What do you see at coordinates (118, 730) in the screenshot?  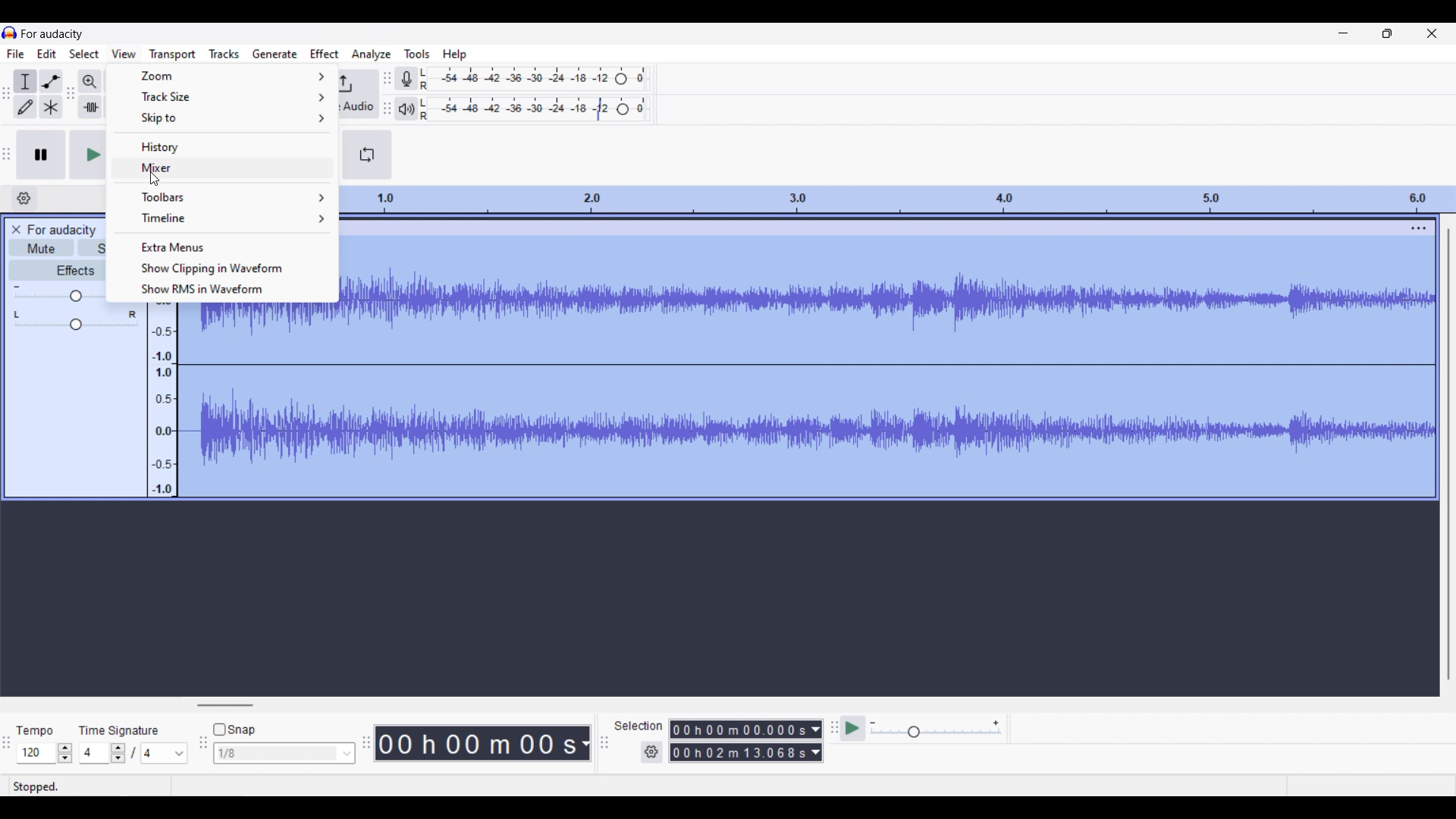 I see `Indicates time signature settings` at bounding box center [118, 730].